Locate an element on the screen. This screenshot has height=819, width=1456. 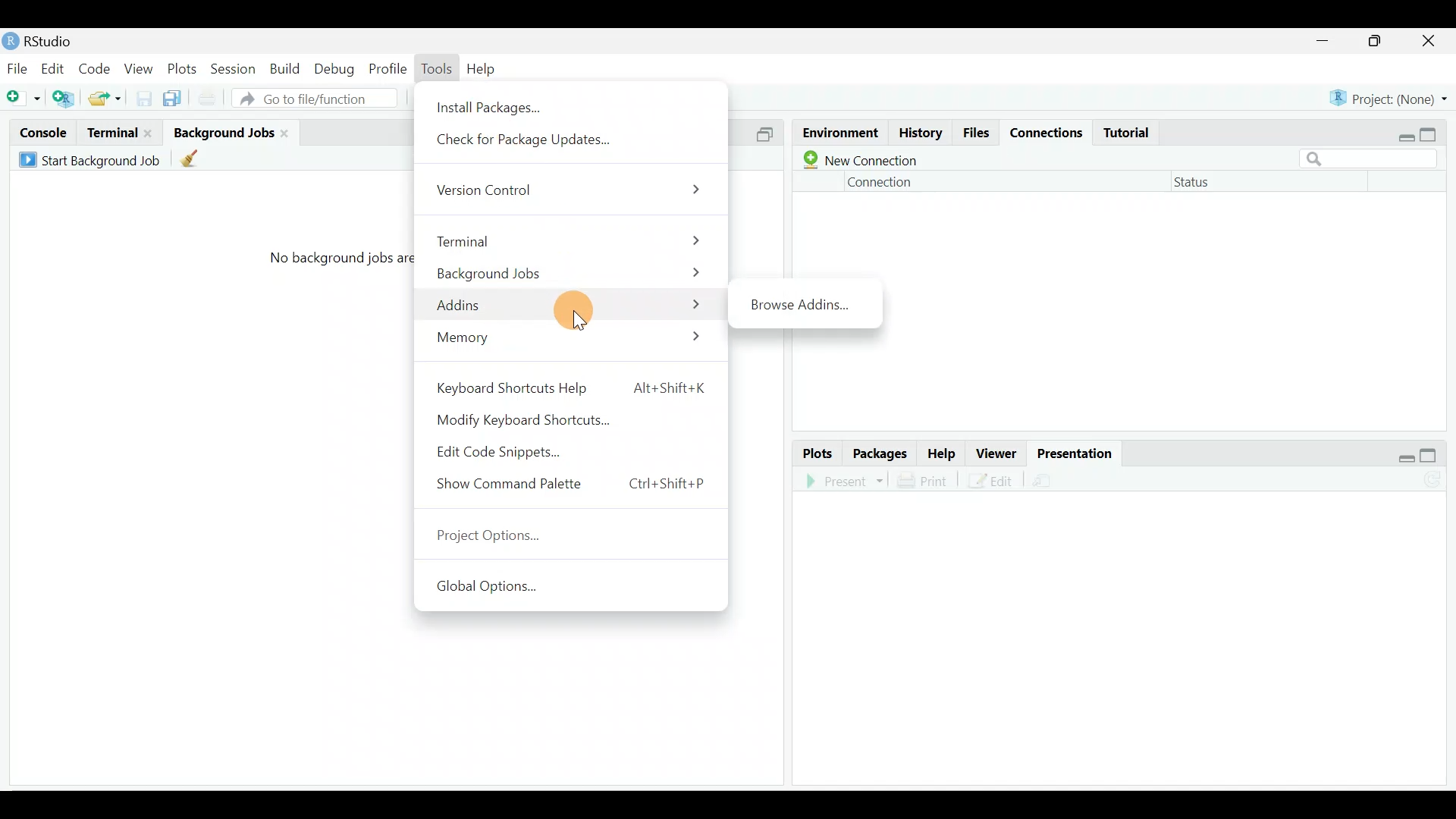
Start Background Job is located at coordinates (93, 161).